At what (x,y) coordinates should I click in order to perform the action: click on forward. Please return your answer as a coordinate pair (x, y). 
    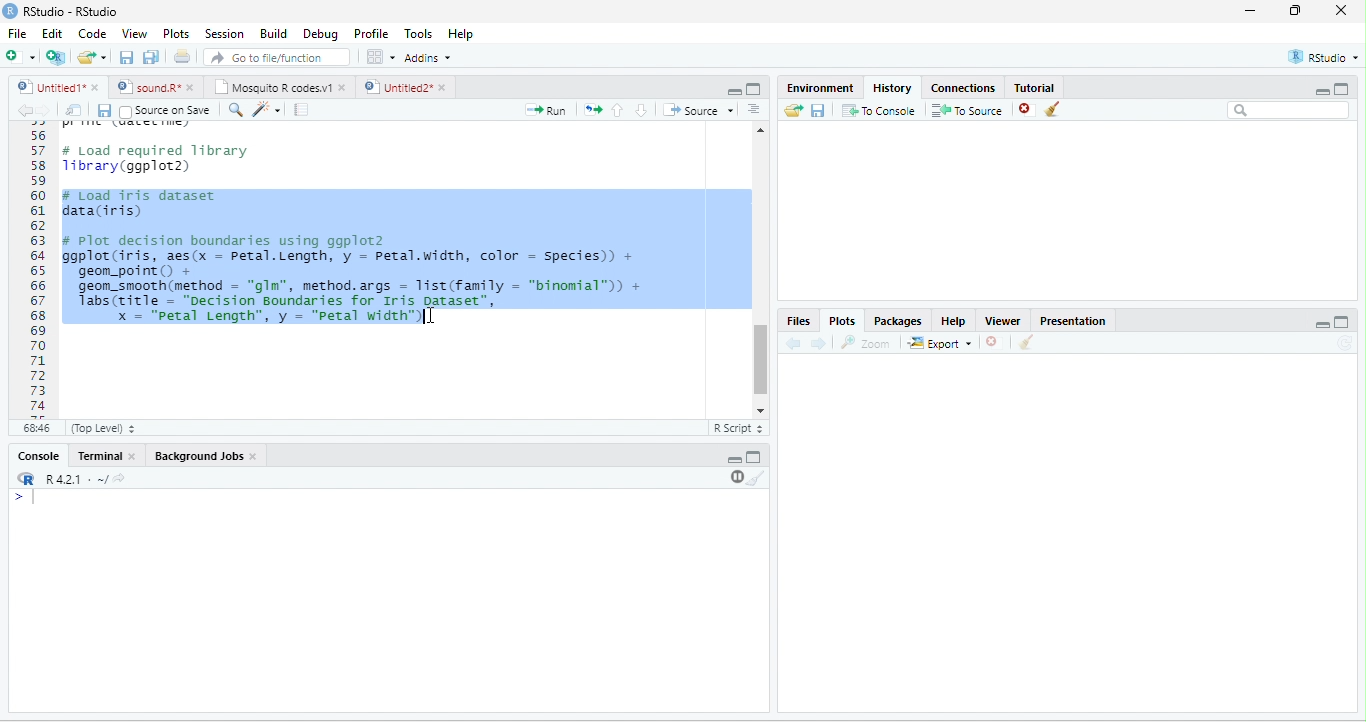
    Looking at the image, I should click on (46, 111).